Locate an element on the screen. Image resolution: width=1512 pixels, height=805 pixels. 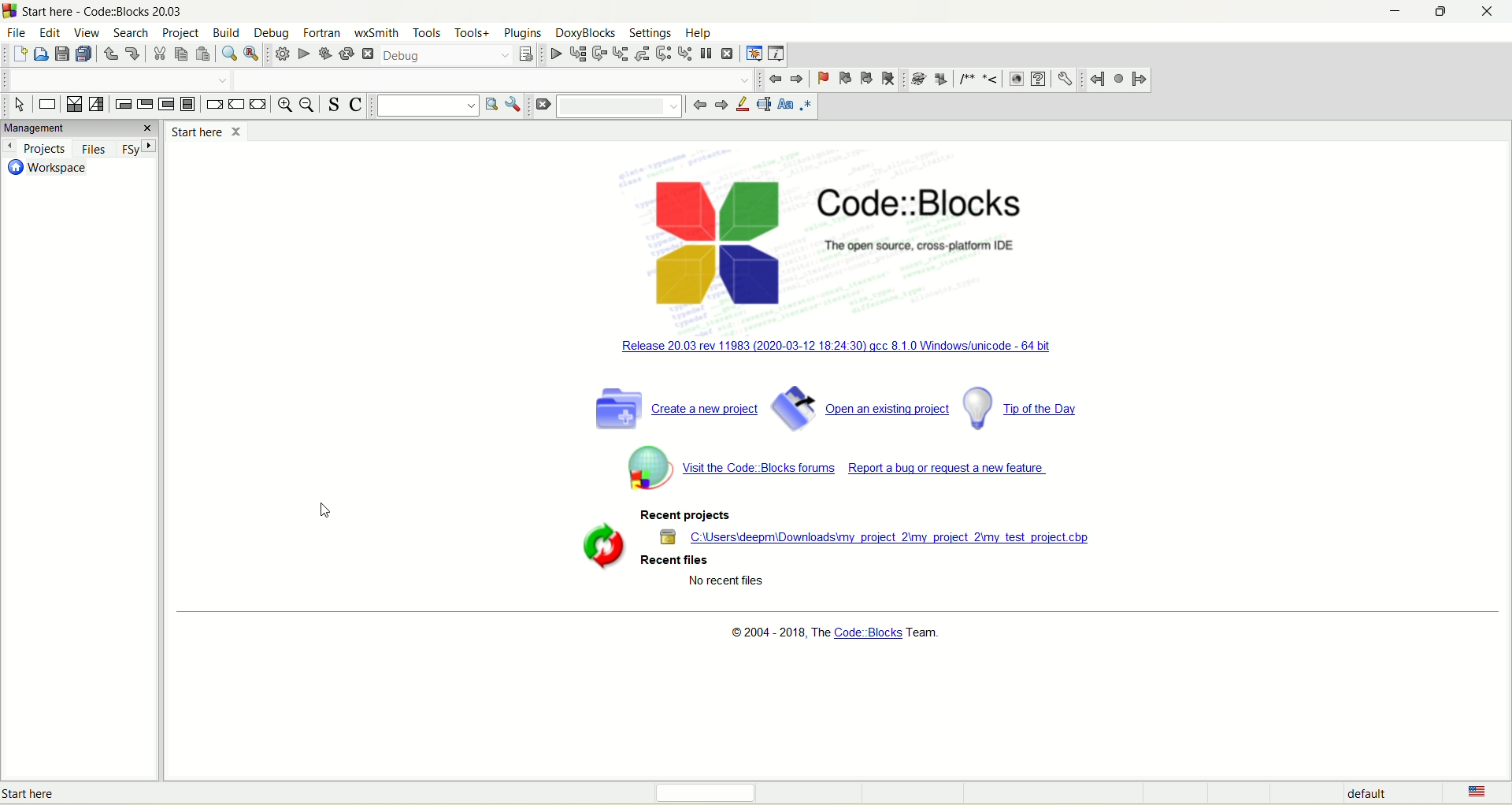
previous bookmark is located at coordinates (844, 79).